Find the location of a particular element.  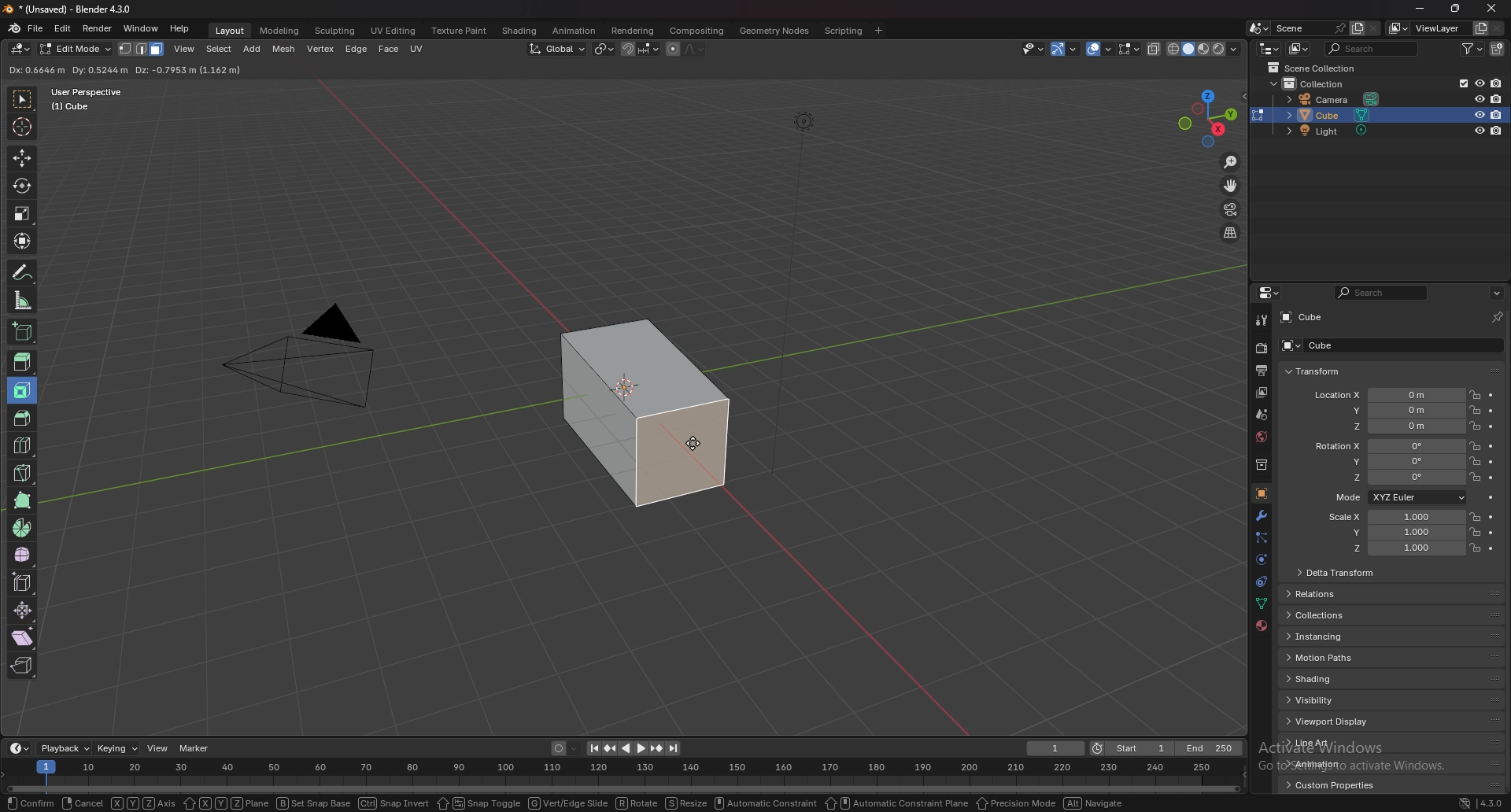

cube is located at coordinates (1334, 115).